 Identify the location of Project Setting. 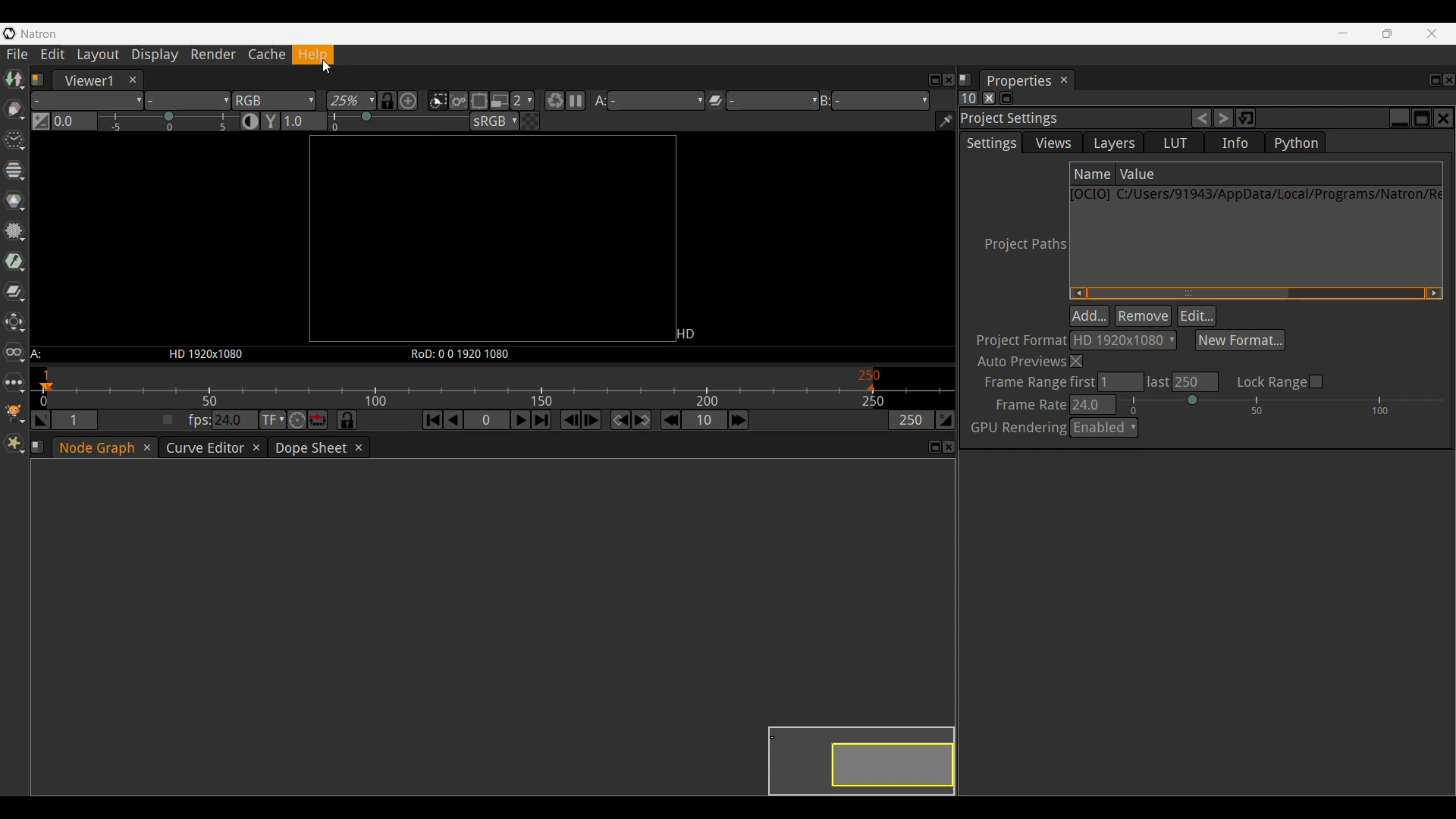
(1066, 118).